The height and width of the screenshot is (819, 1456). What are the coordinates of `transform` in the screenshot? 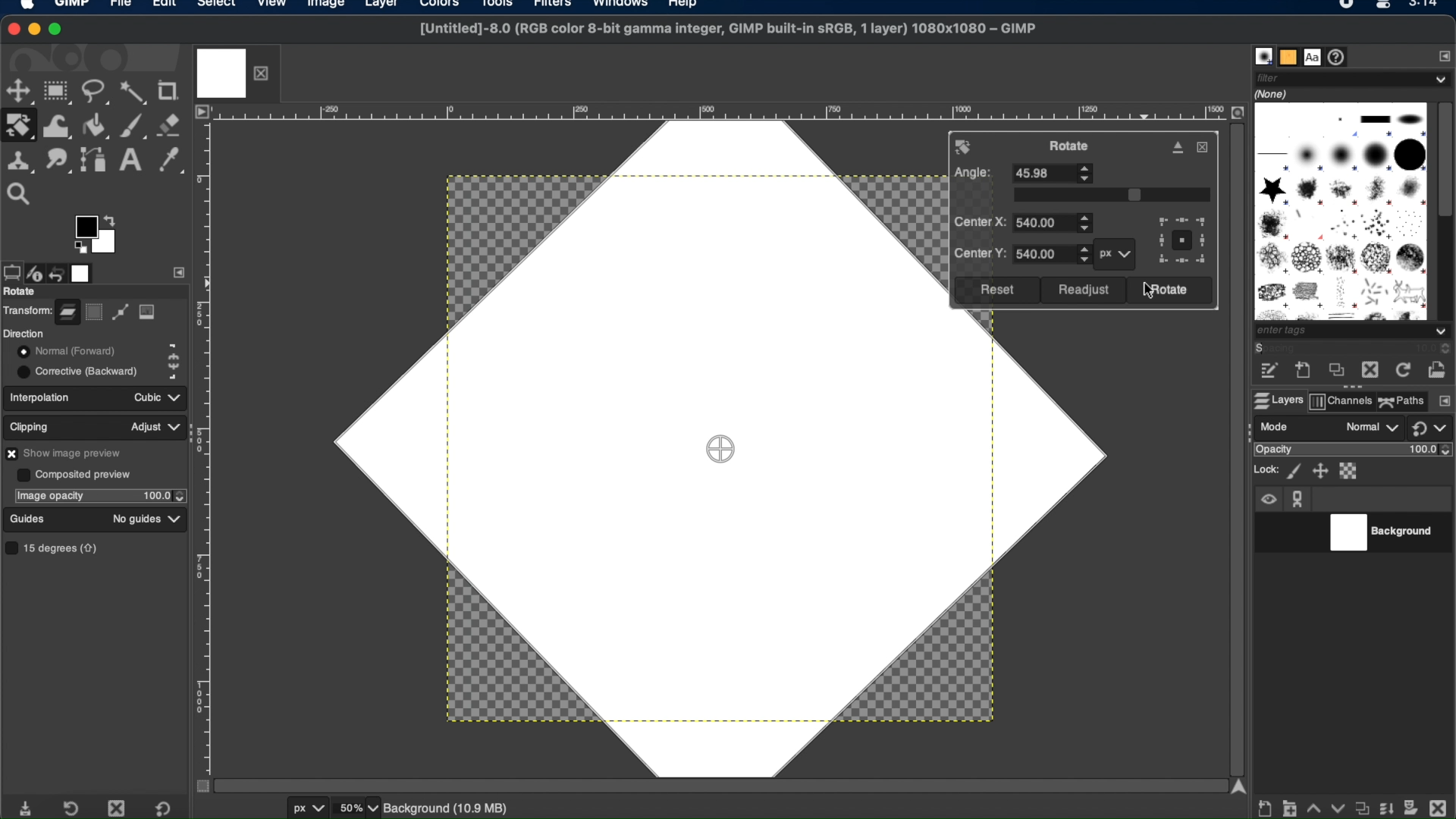 It's located at (27, 309).